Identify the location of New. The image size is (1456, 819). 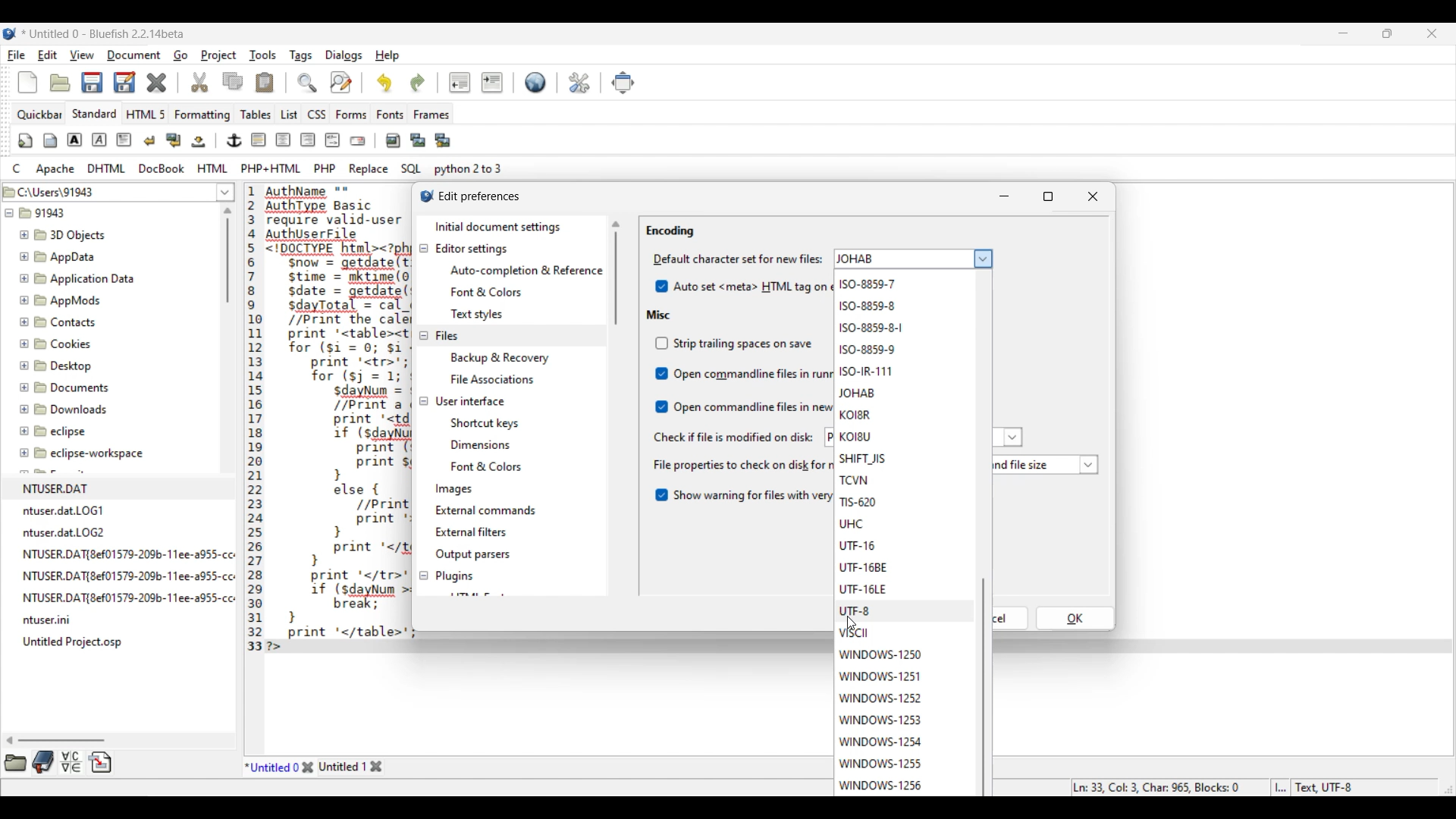
(27, 82).